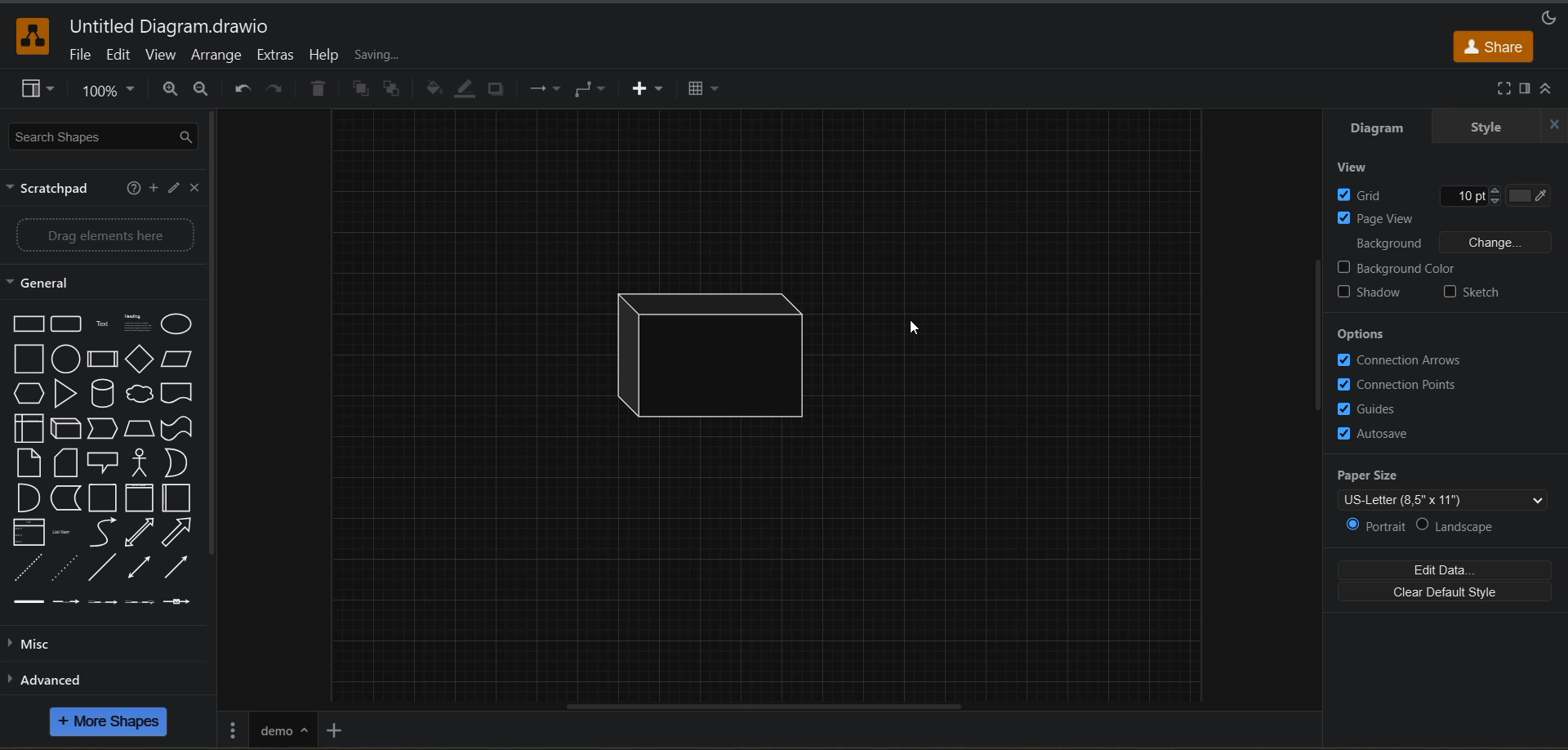 This screenshot has width=1568, height=750. I want to click on horizontal scroll bar, so click(768, 705).